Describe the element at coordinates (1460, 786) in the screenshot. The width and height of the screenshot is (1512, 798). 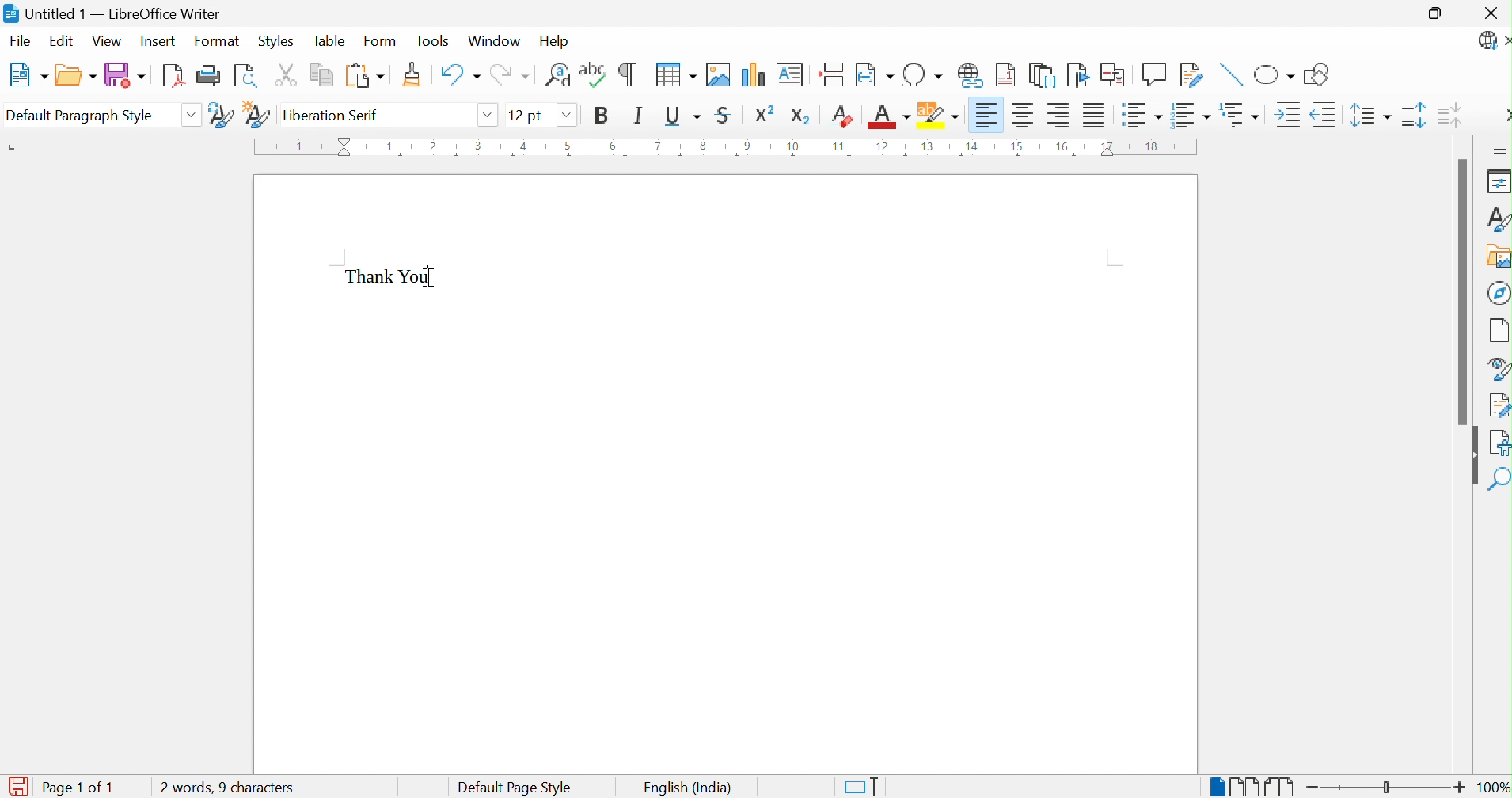
I see `Zoom In` at that location.